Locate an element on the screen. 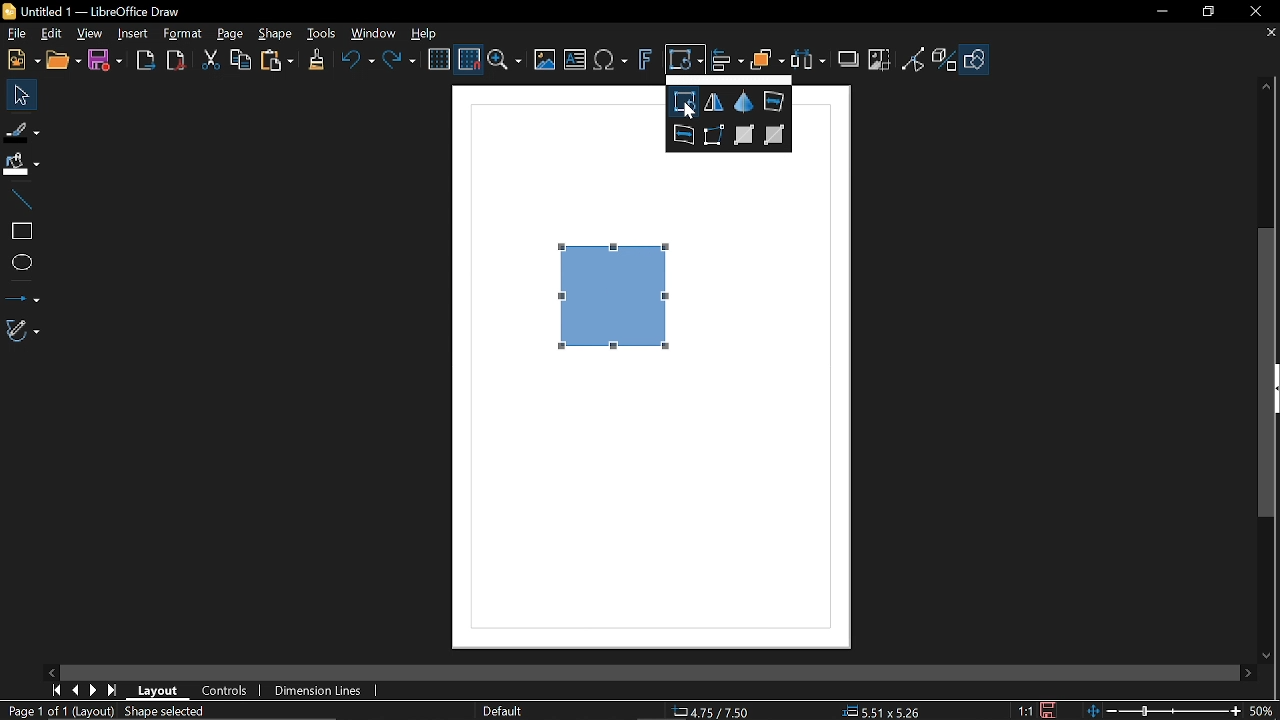 Image resolution: width=1280 pixels, height=720 pixels. Format is located at coordinates (182, 34).